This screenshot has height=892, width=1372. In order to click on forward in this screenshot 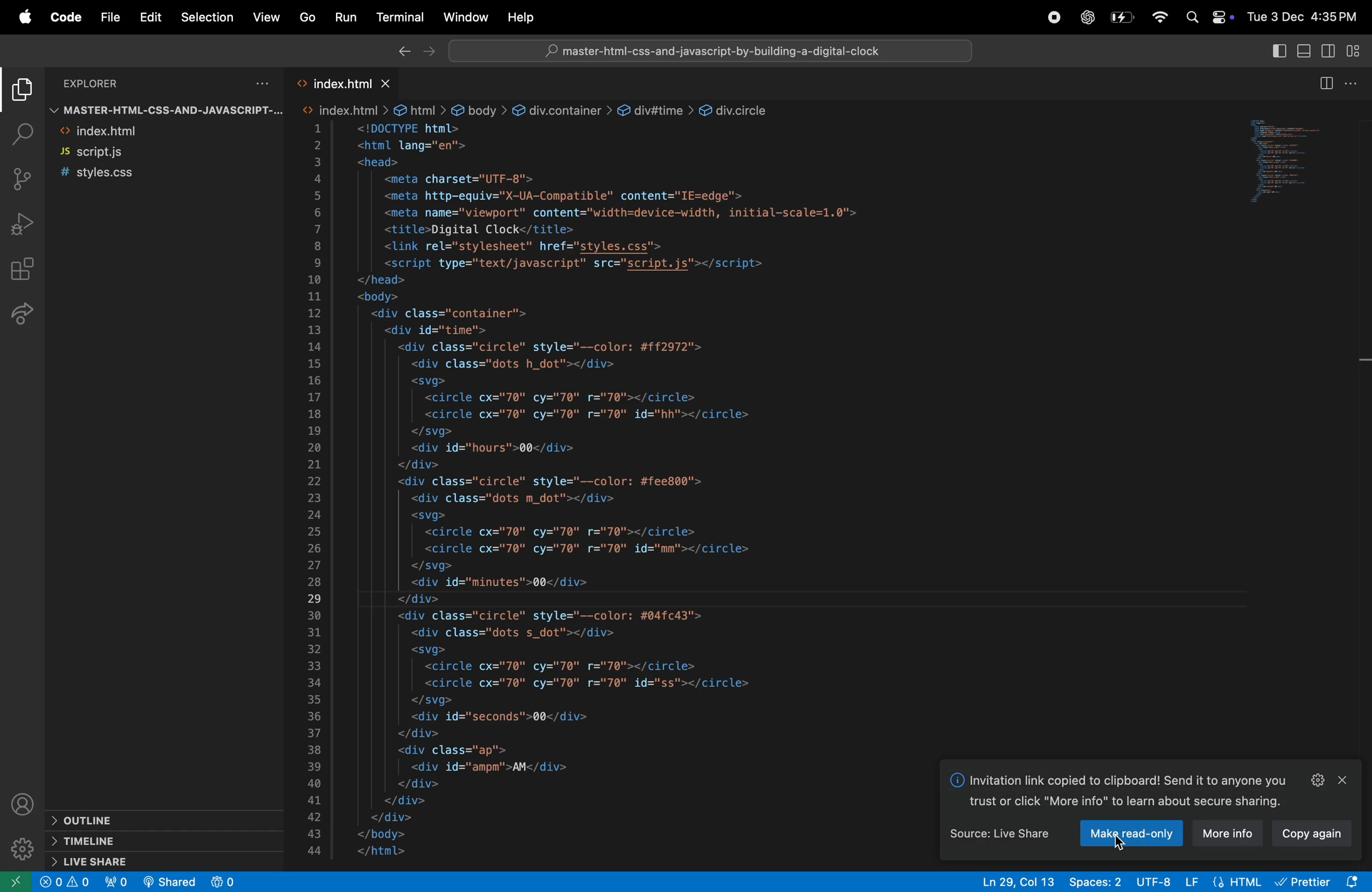, I will do `click(431, 52)`.